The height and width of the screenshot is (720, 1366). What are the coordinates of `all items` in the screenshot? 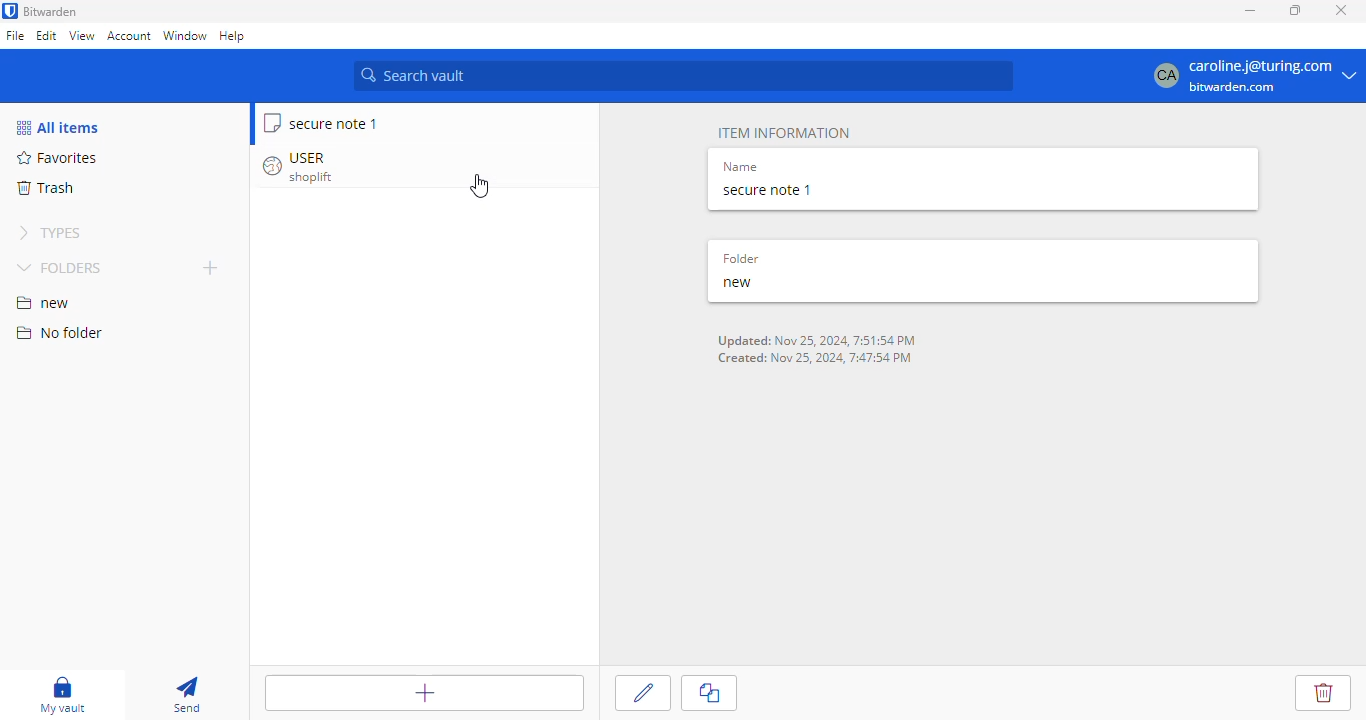 It's located at (57, 127).